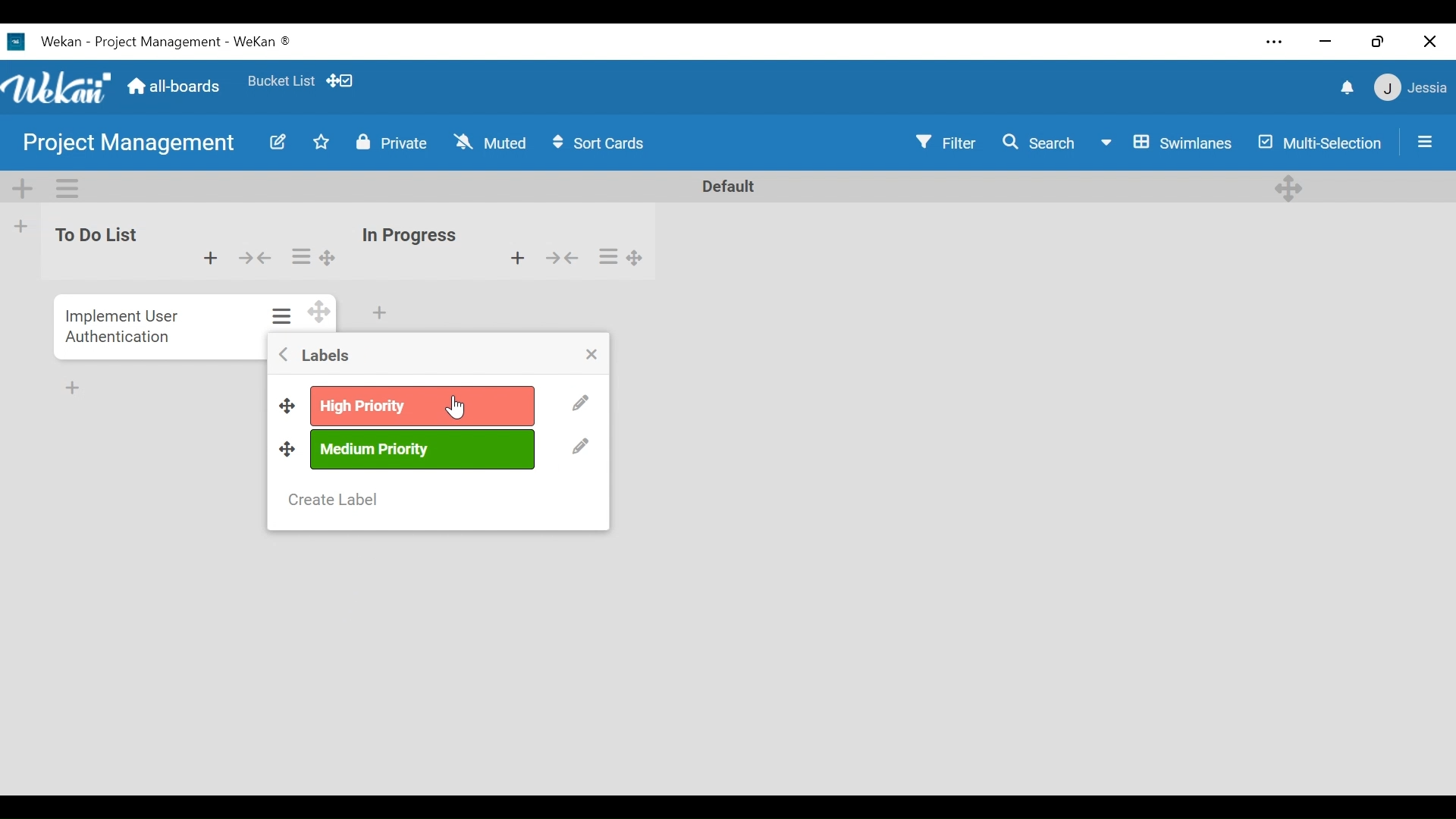 This screenshot has width=1456, height=819. I want to click on $ Sort Cards, so click(605, 142).